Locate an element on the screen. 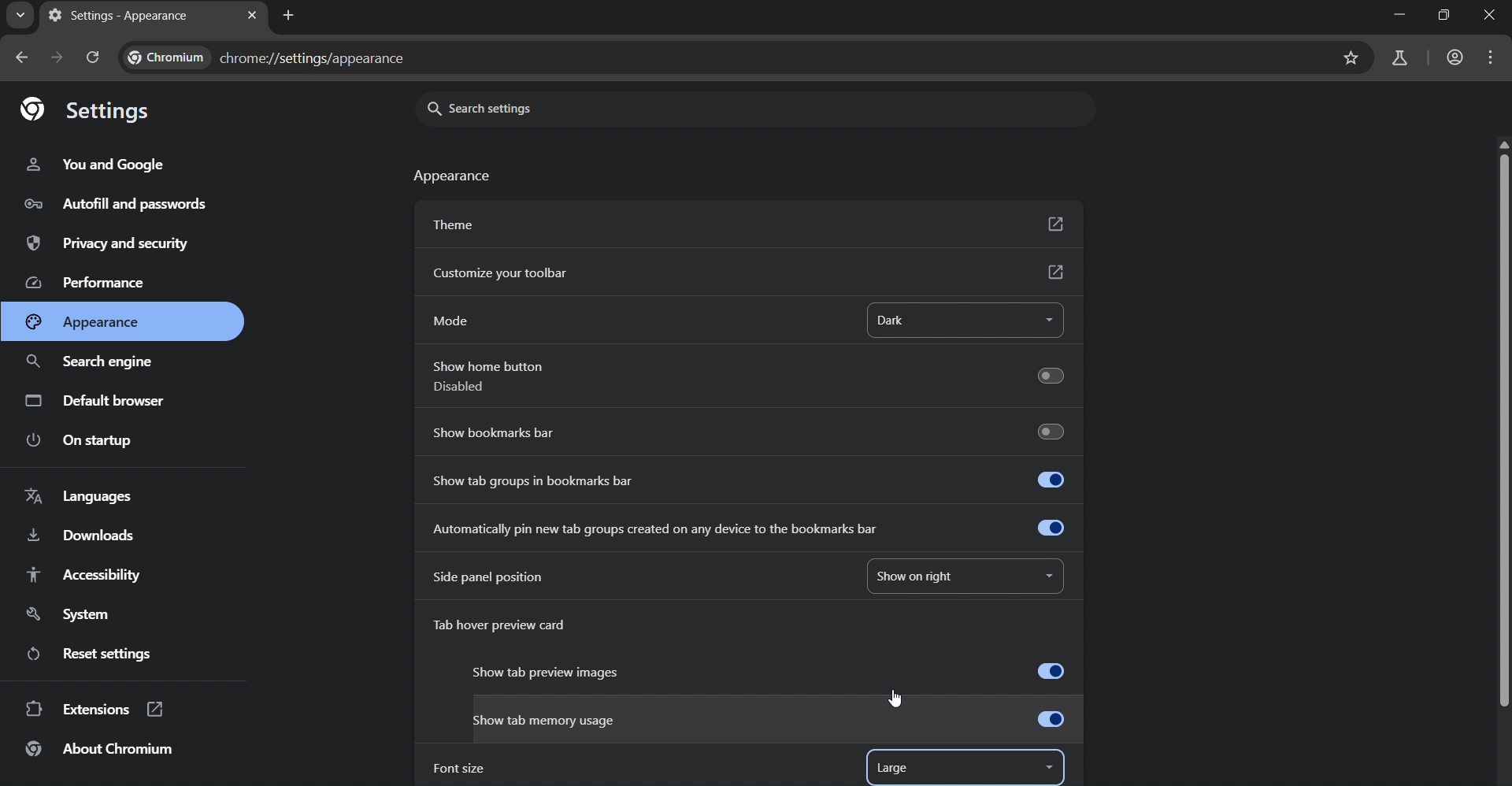 Image resolution: width=1512 pixels, height=786 pixels. on startup is located at coordinates (83, 441).